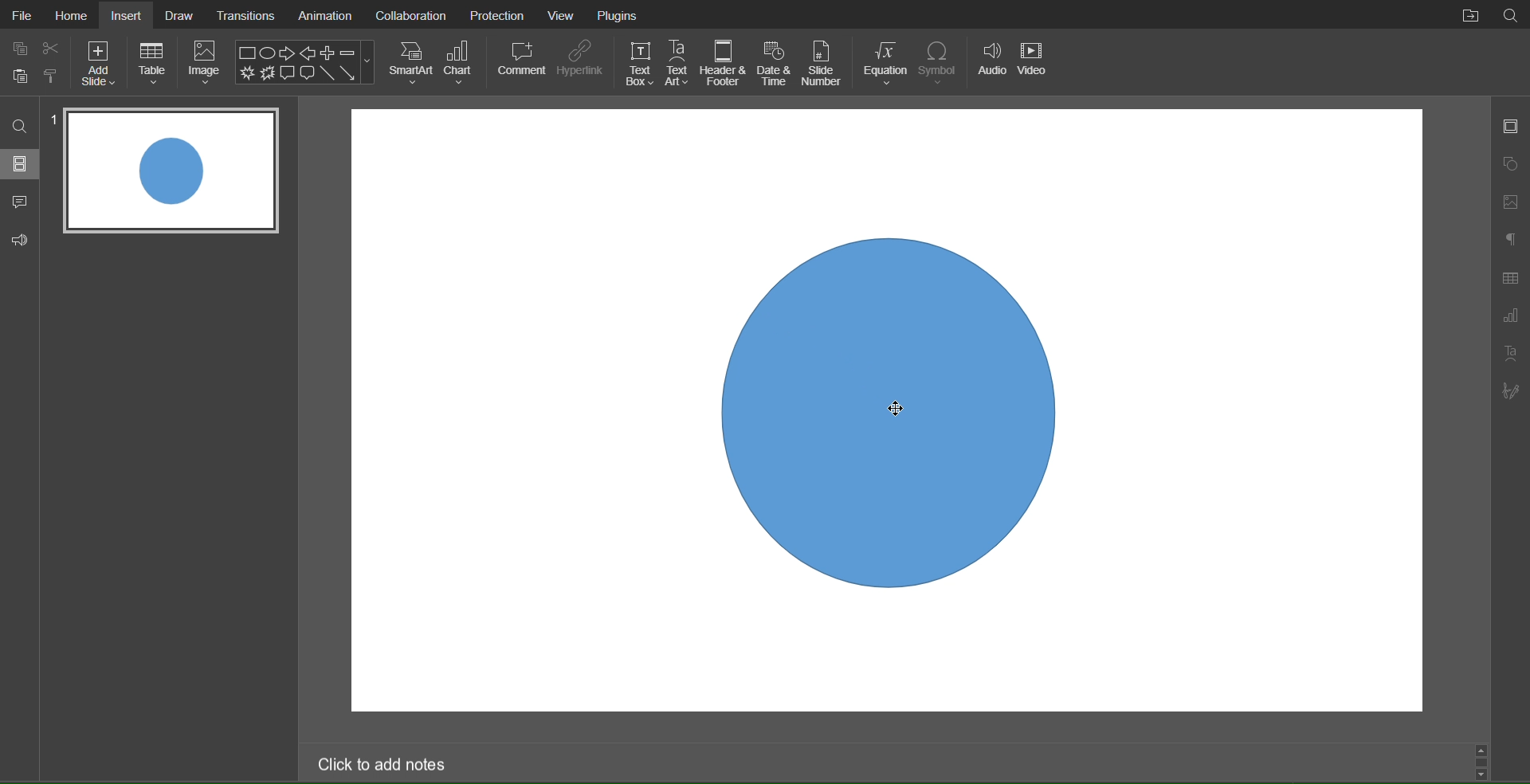 The width and height of the screenshot is (1530, 784). I want to click on Open File Location, so click(1470, 15).